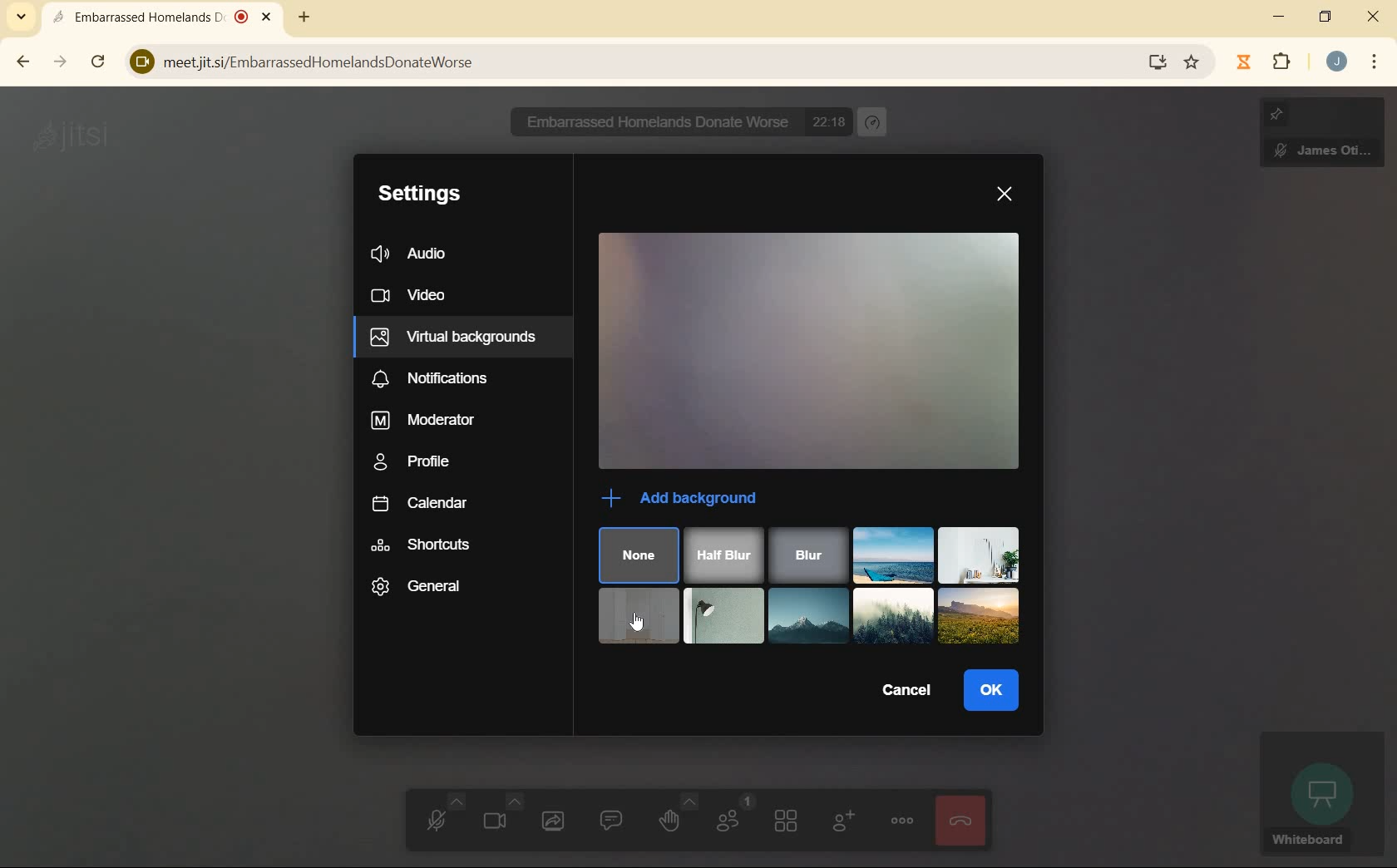 This screenshot has width=1397, height=868. I want to click on profile, so click(413, 461).